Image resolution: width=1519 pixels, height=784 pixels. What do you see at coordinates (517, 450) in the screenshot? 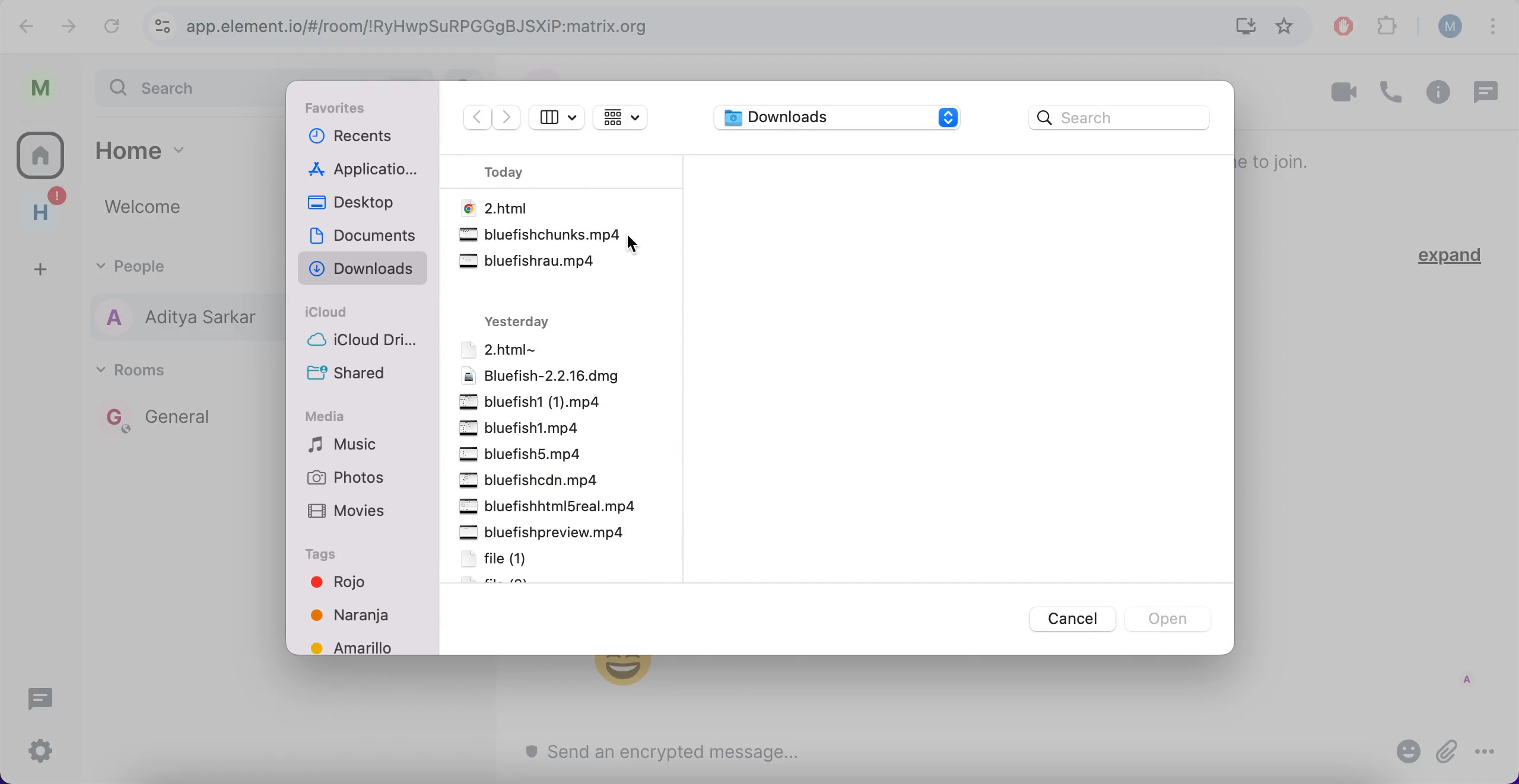
I see `bluefish5.mp4` at bounding box center [517, 450].